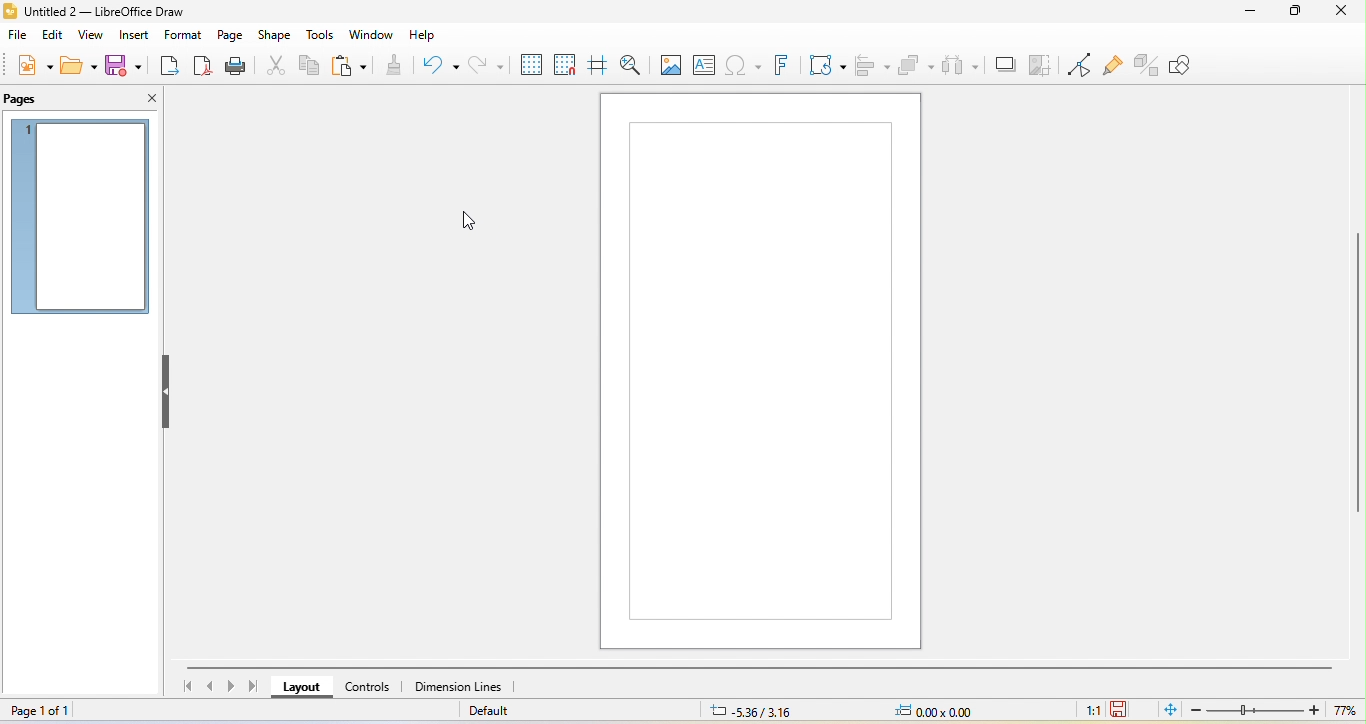  I want to click on new, so click(32, 66).